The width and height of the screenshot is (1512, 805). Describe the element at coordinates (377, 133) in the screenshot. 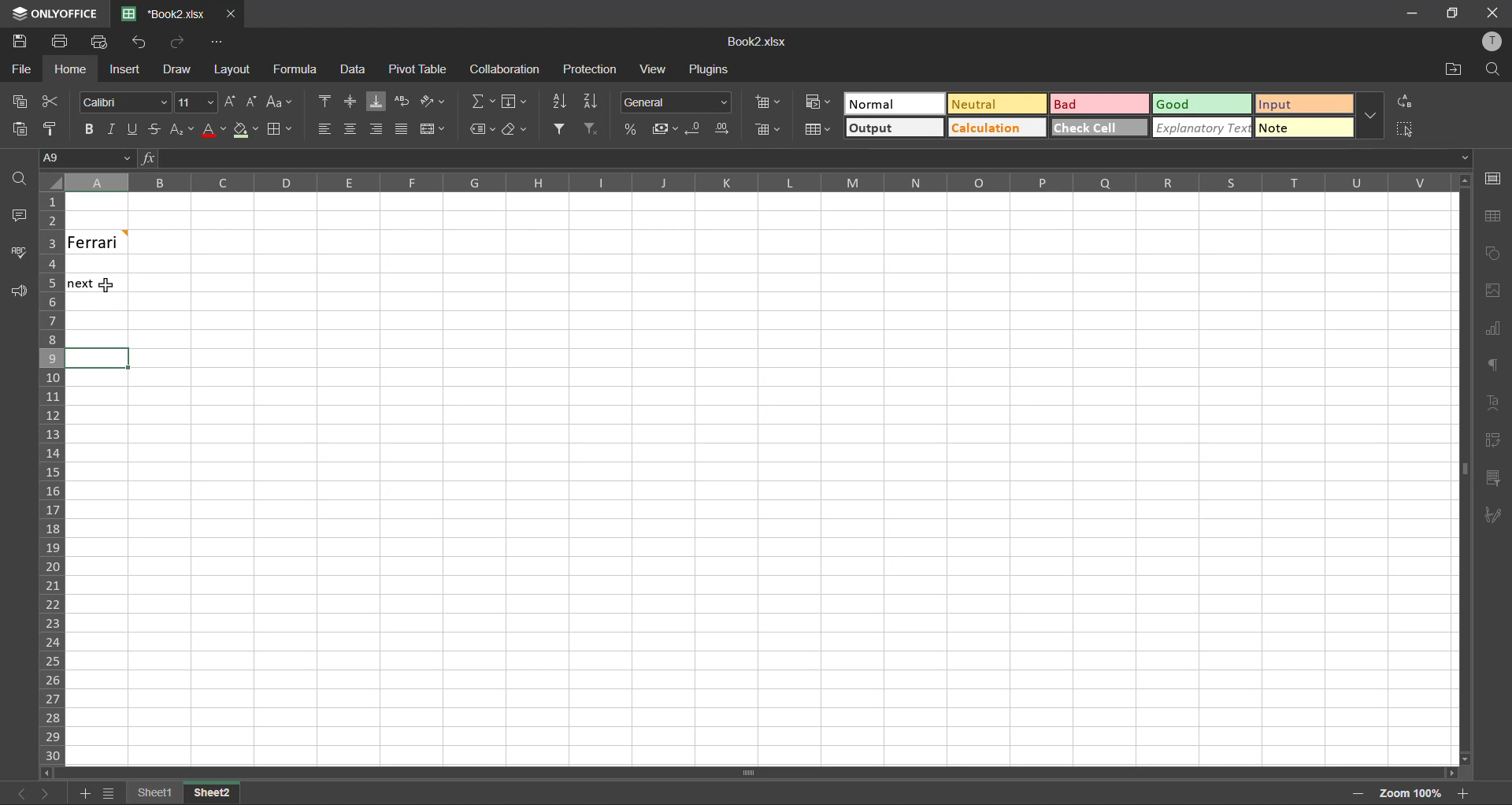

I see `align  right` at that location.